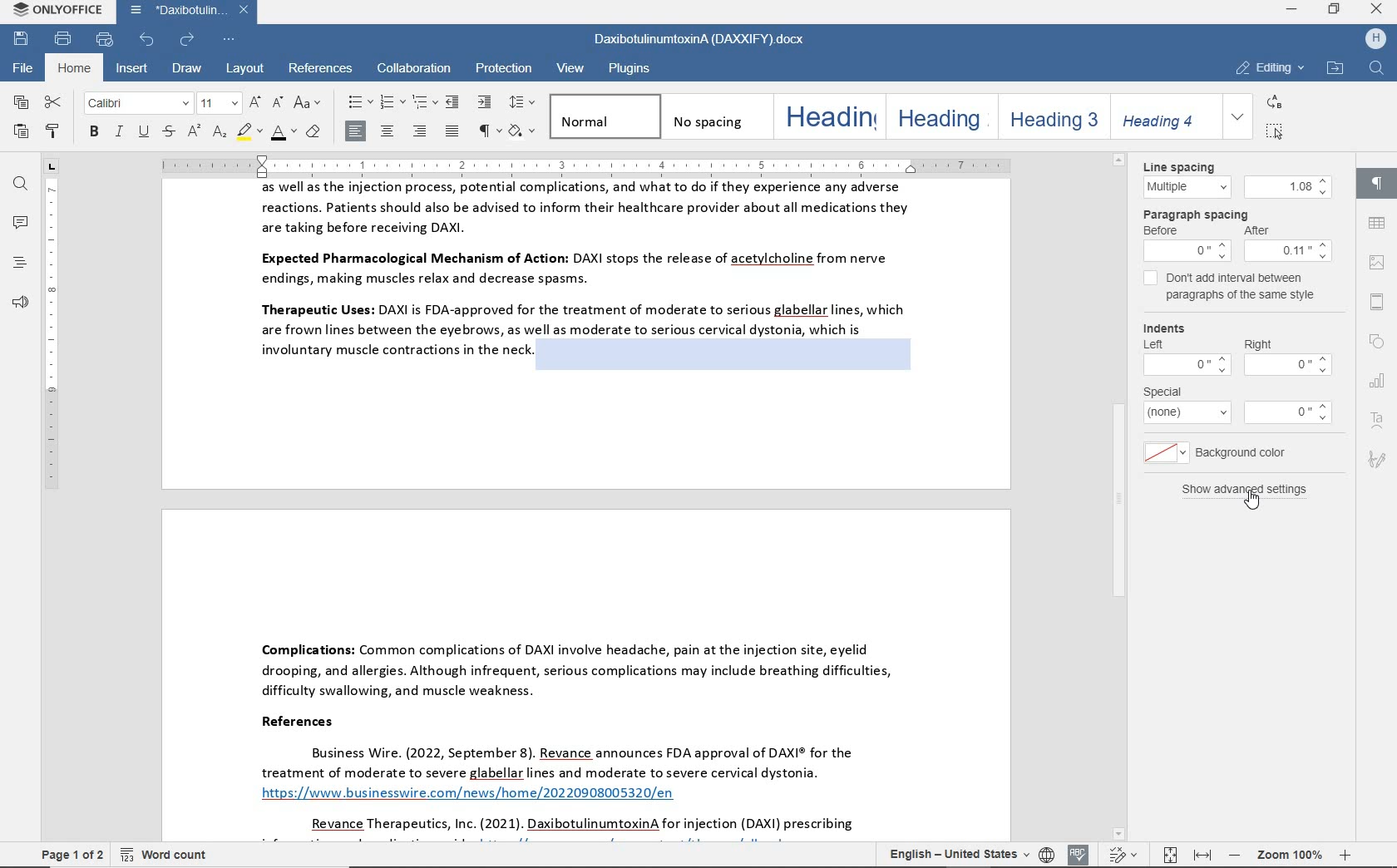 This screenshot has width=1397, height=868. I want to click on shape, so click(1380, 343).